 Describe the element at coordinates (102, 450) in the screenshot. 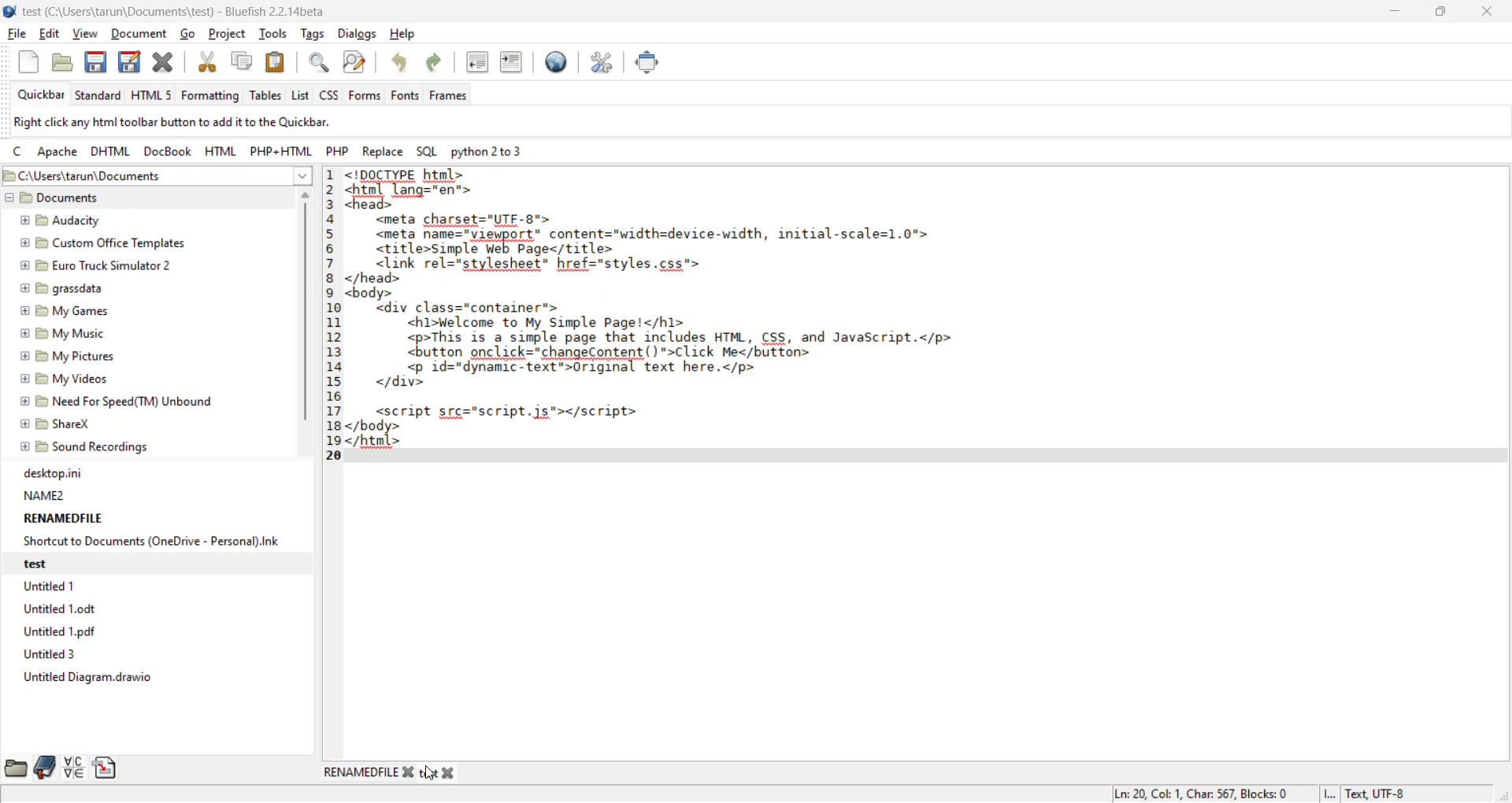

I see `sound recordings` at that location.